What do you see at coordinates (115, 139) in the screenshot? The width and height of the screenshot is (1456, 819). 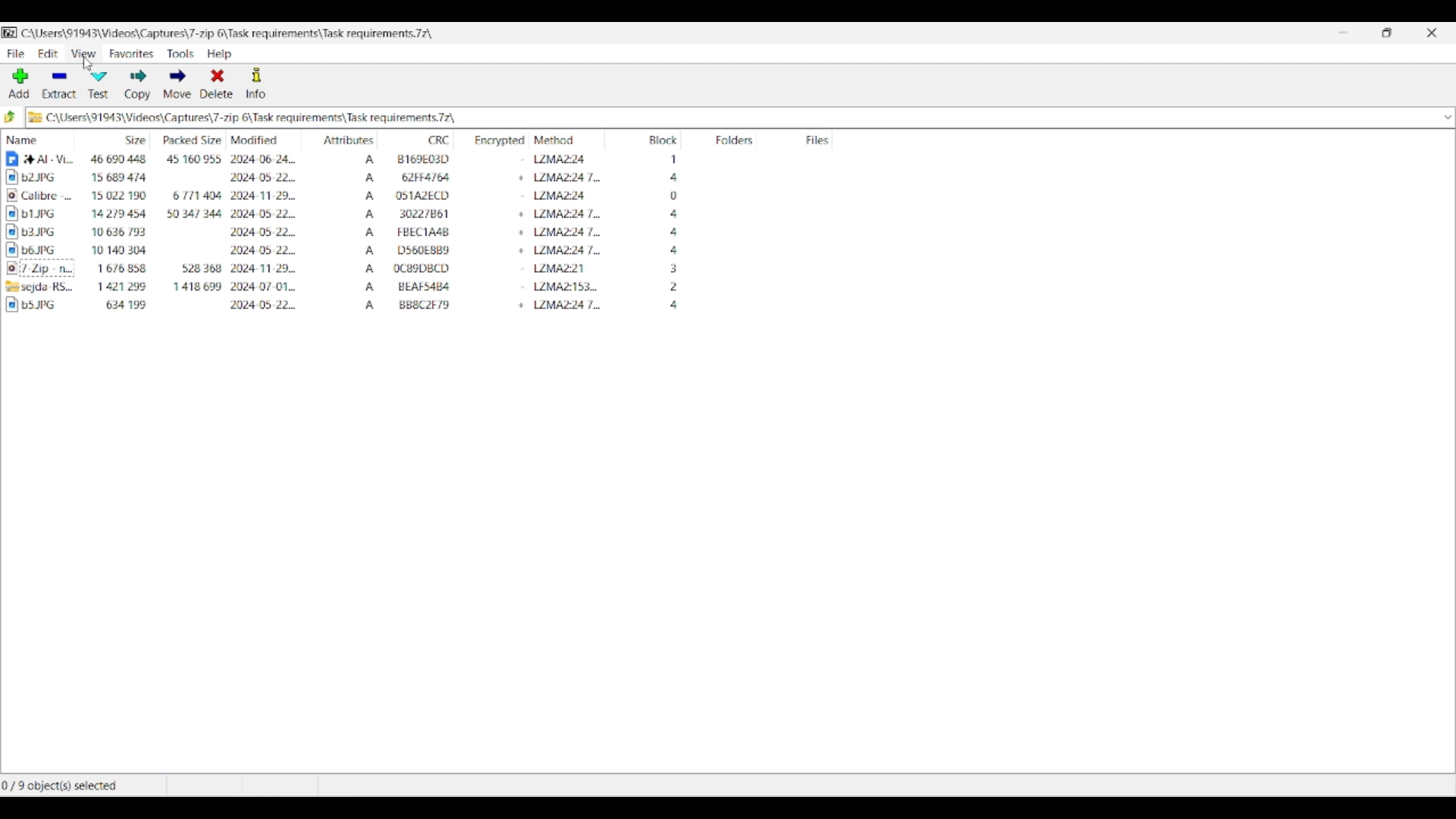 I see `Size column` at bounding box center [115, 139].